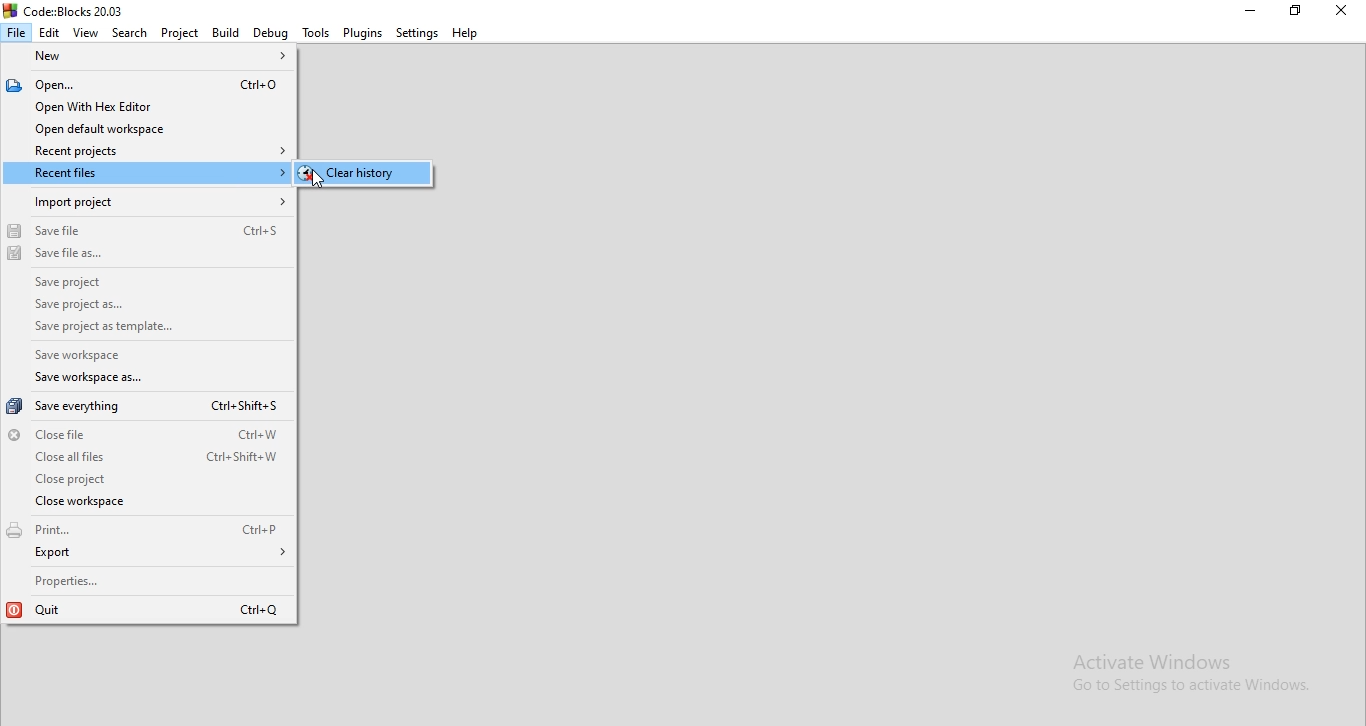 This screenshot has height=726, width=1366. What do you see at coordinates (322, 182) in the screenshot?
I see `Cursor` at bounding box center [322, 182].